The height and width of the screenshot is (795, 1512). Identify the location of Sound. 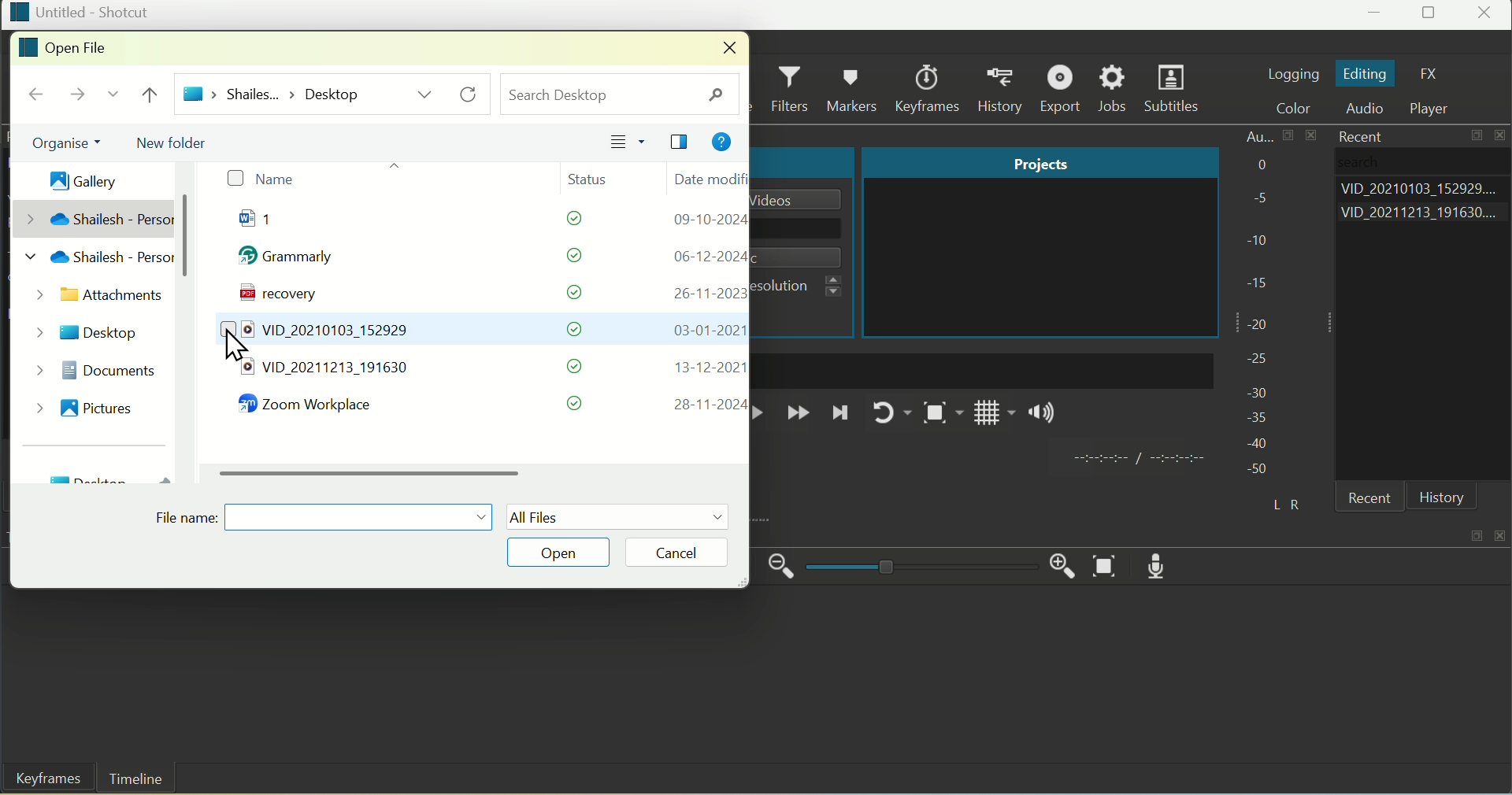
(1043, 416).